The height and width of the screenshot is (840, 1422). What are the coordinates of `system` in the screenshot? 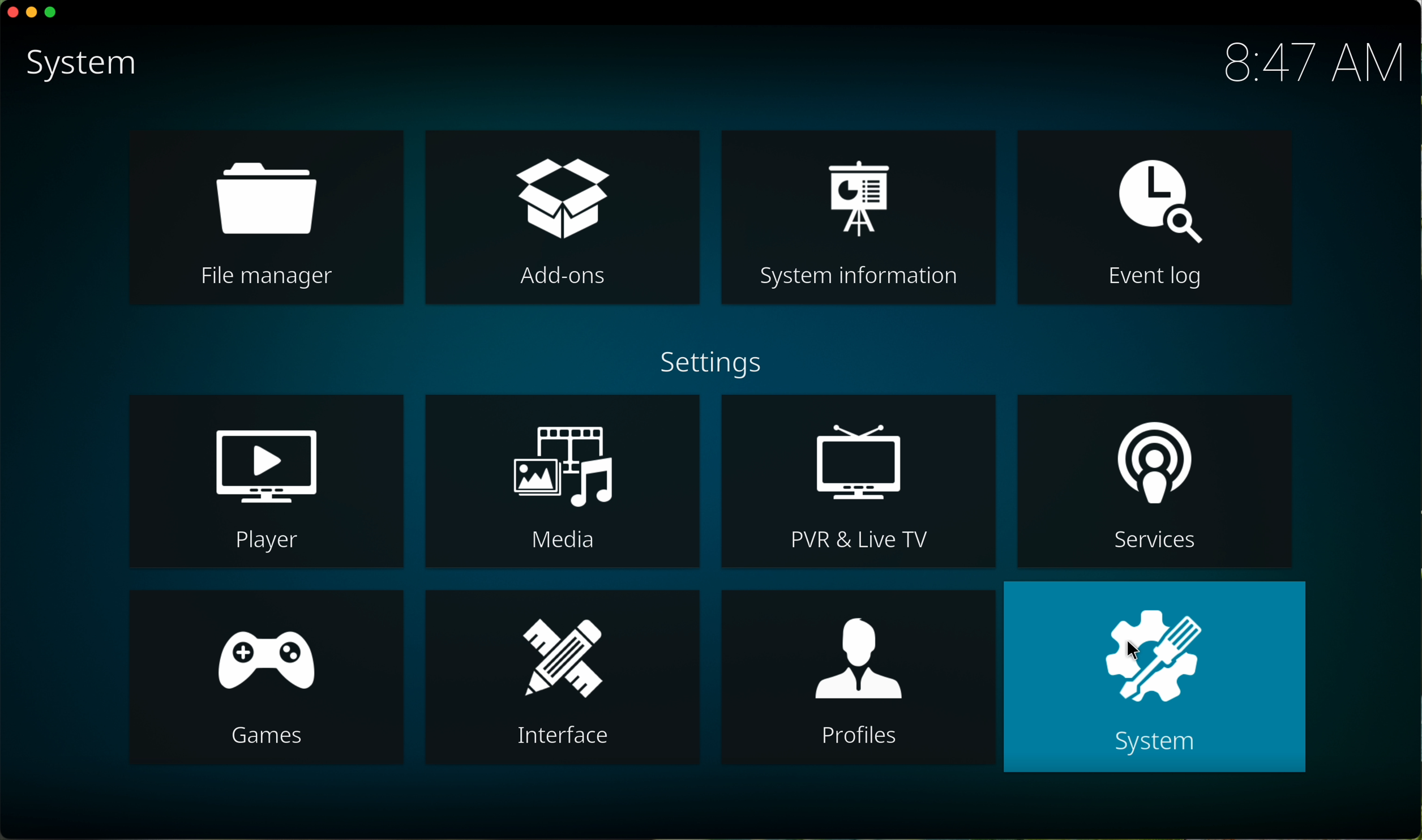 It's located at (79, 66).